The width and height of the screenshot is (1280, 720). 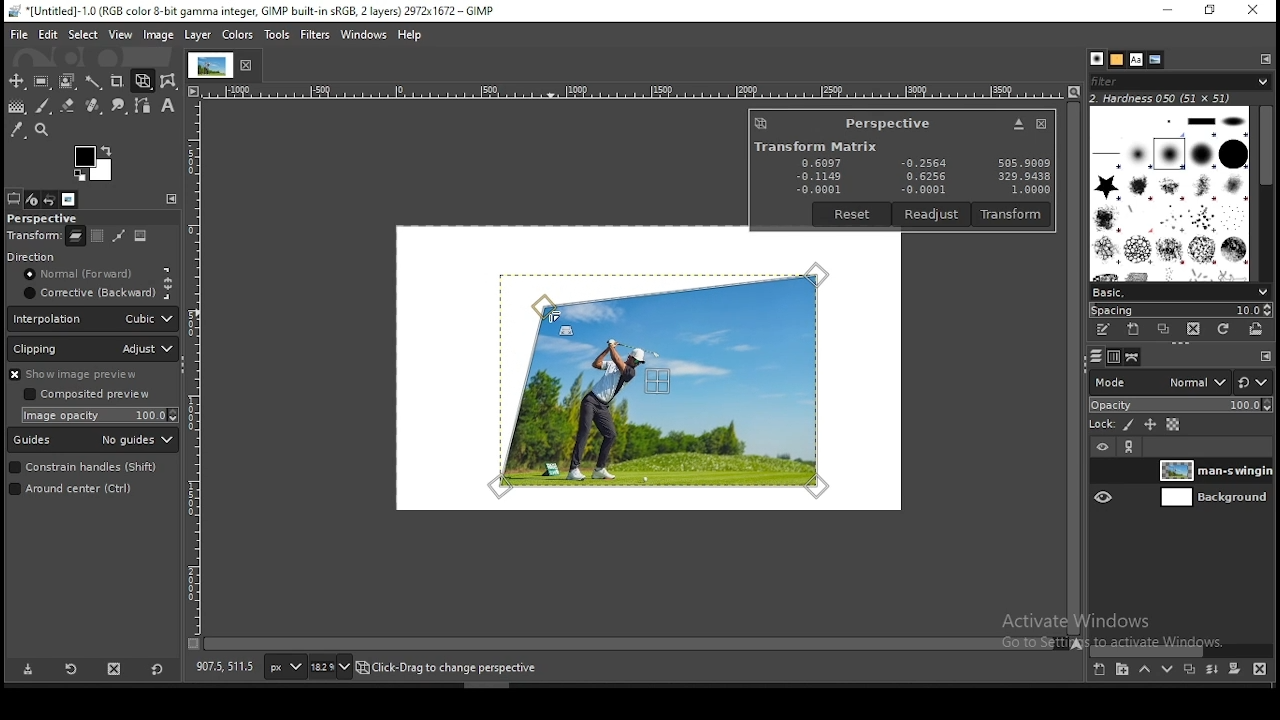 I want to click on spacing, so click(x=1179, y=309).